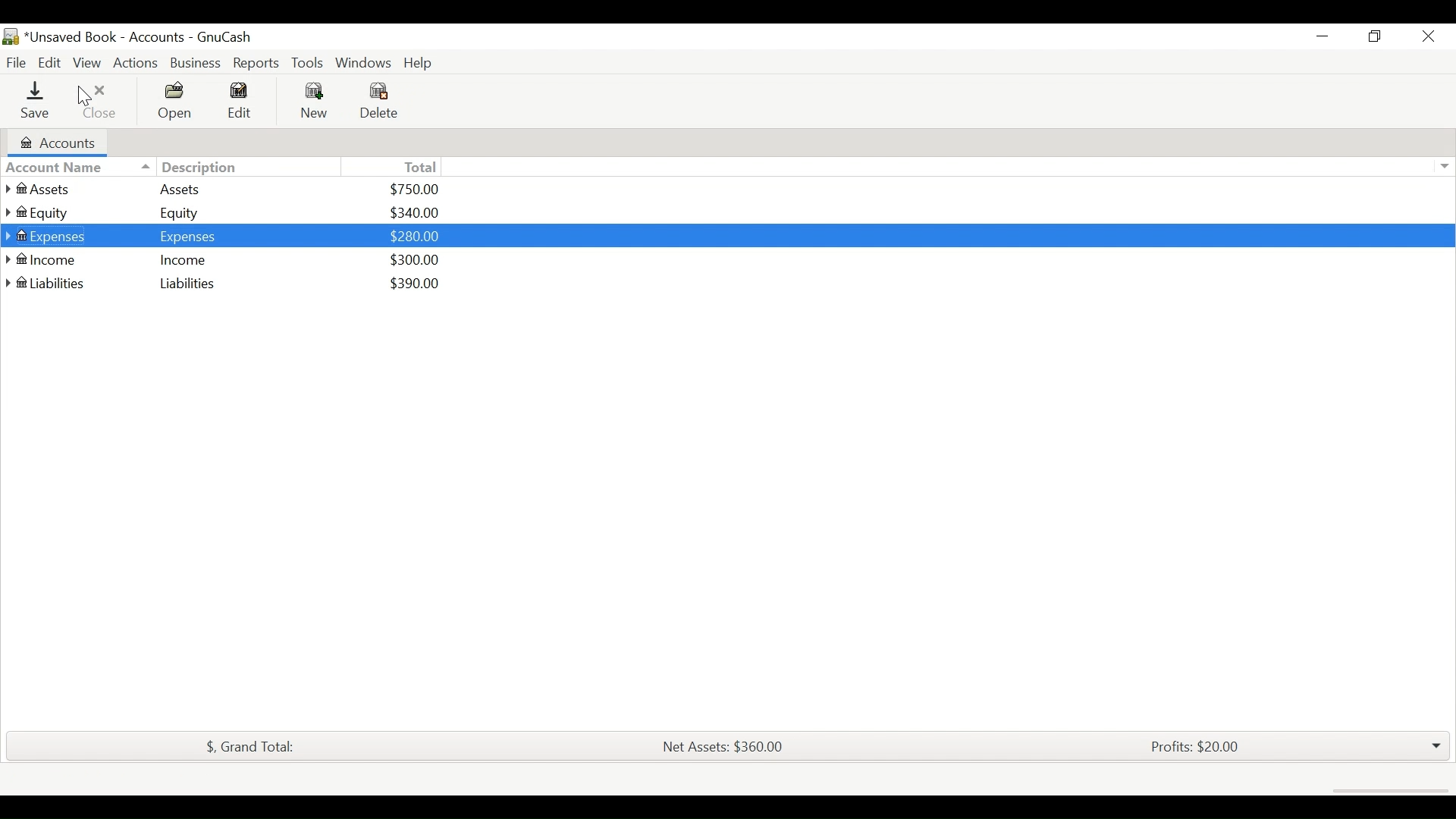 The height and width of the screenshot is (819, 1456). I want to click on Assets, so click(55, 188).